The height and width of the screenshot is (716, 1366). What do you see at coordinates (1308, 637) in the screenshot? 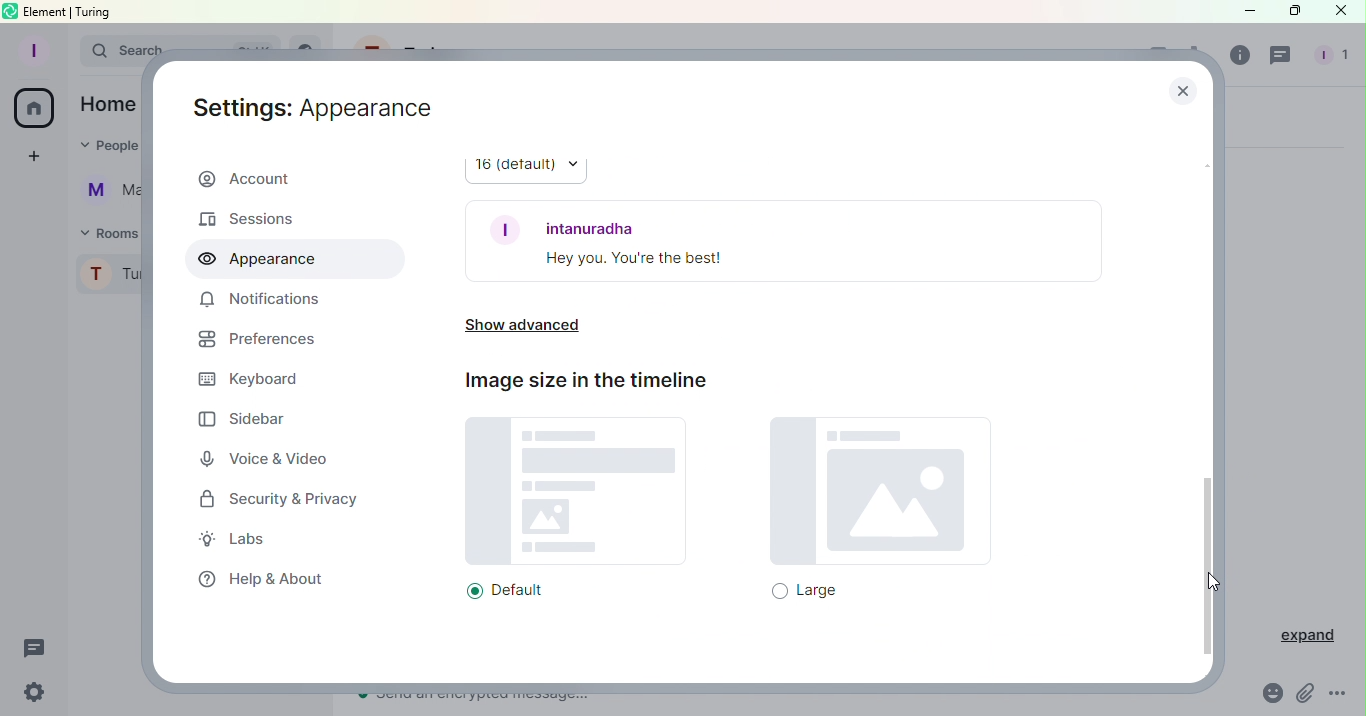
I see `Expand` at bounding box center [1308, 637].